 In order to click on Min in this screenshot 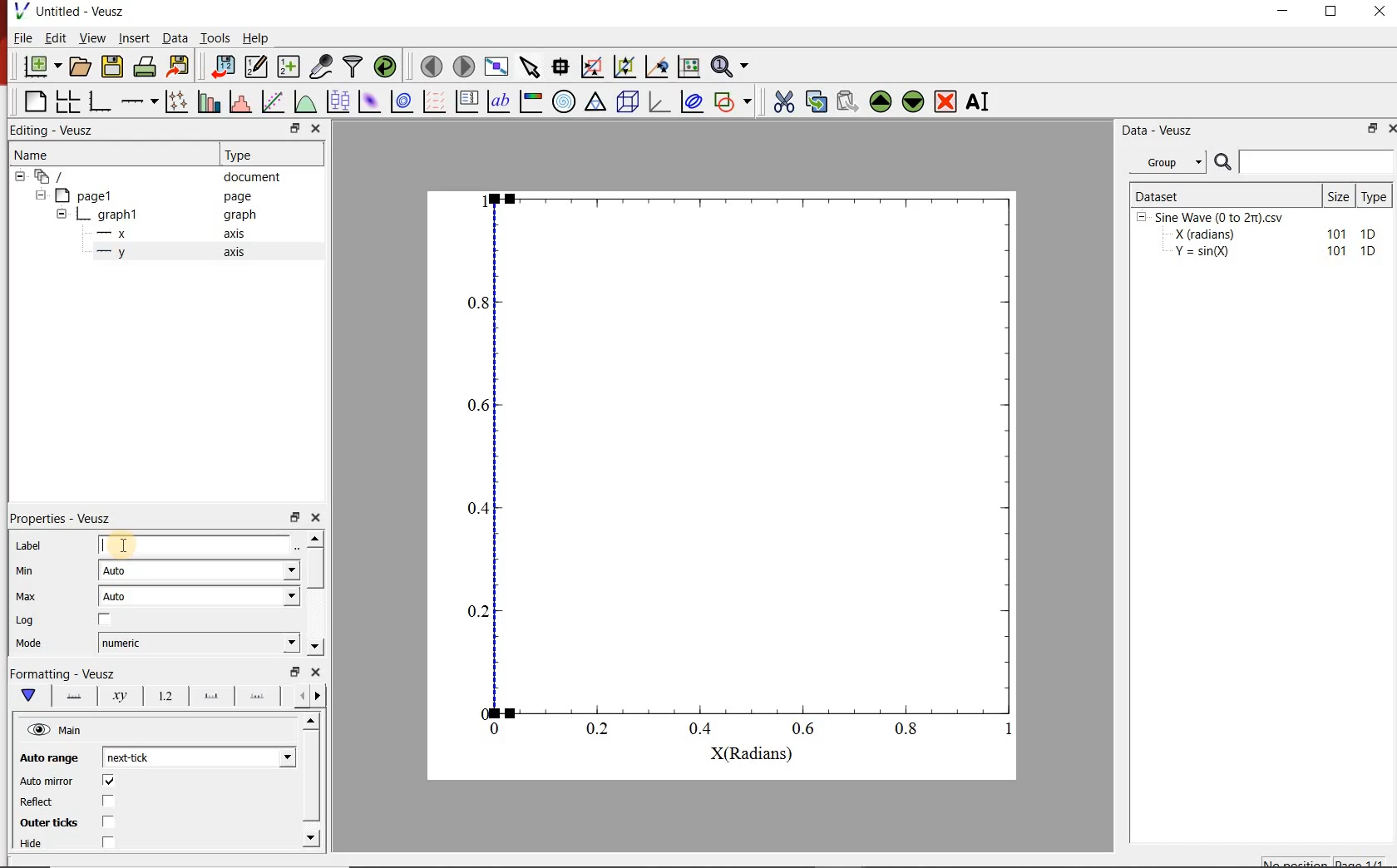, I will do `click(26, 570)`.